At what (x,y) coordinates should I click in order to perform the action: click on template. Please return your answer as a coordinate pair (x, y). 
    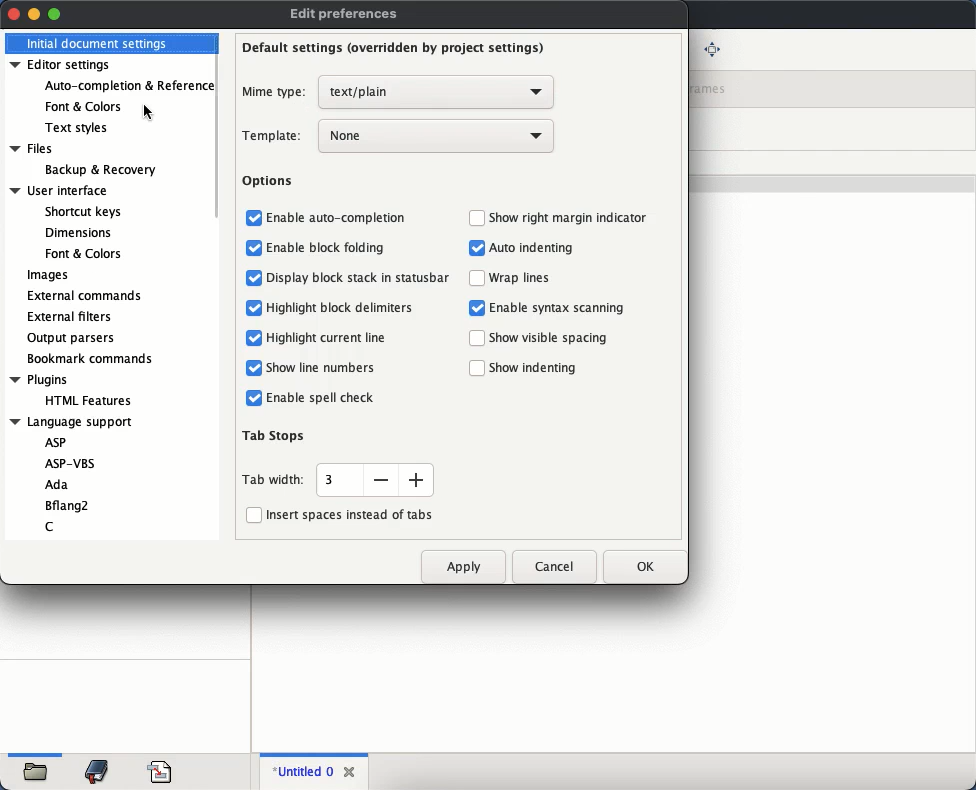
    Looking at the image, I should click on (273, 136).